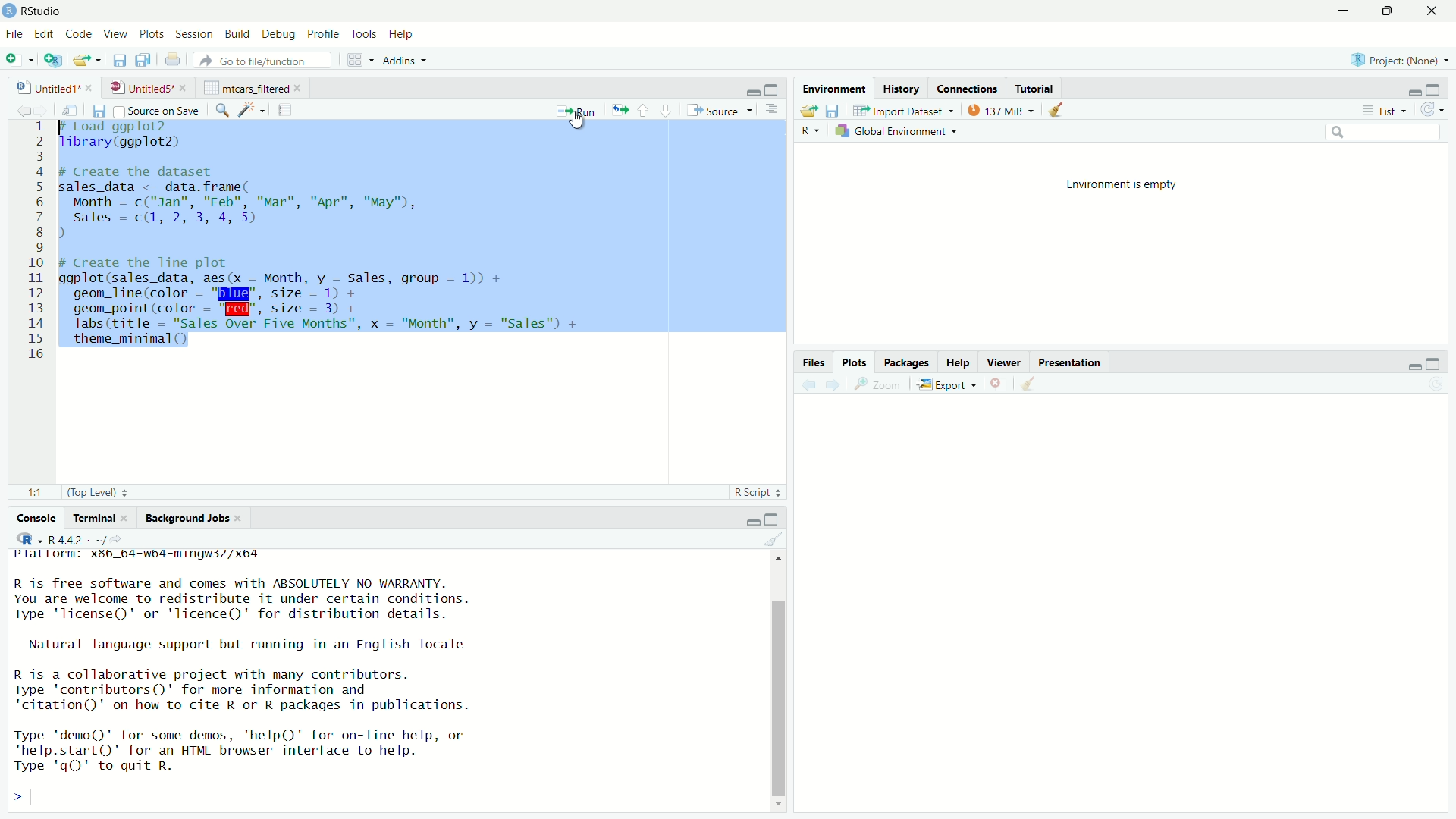  Describe the element at coordinates (1029, 383) in the screenshot. I see `clear all plots` at that location.